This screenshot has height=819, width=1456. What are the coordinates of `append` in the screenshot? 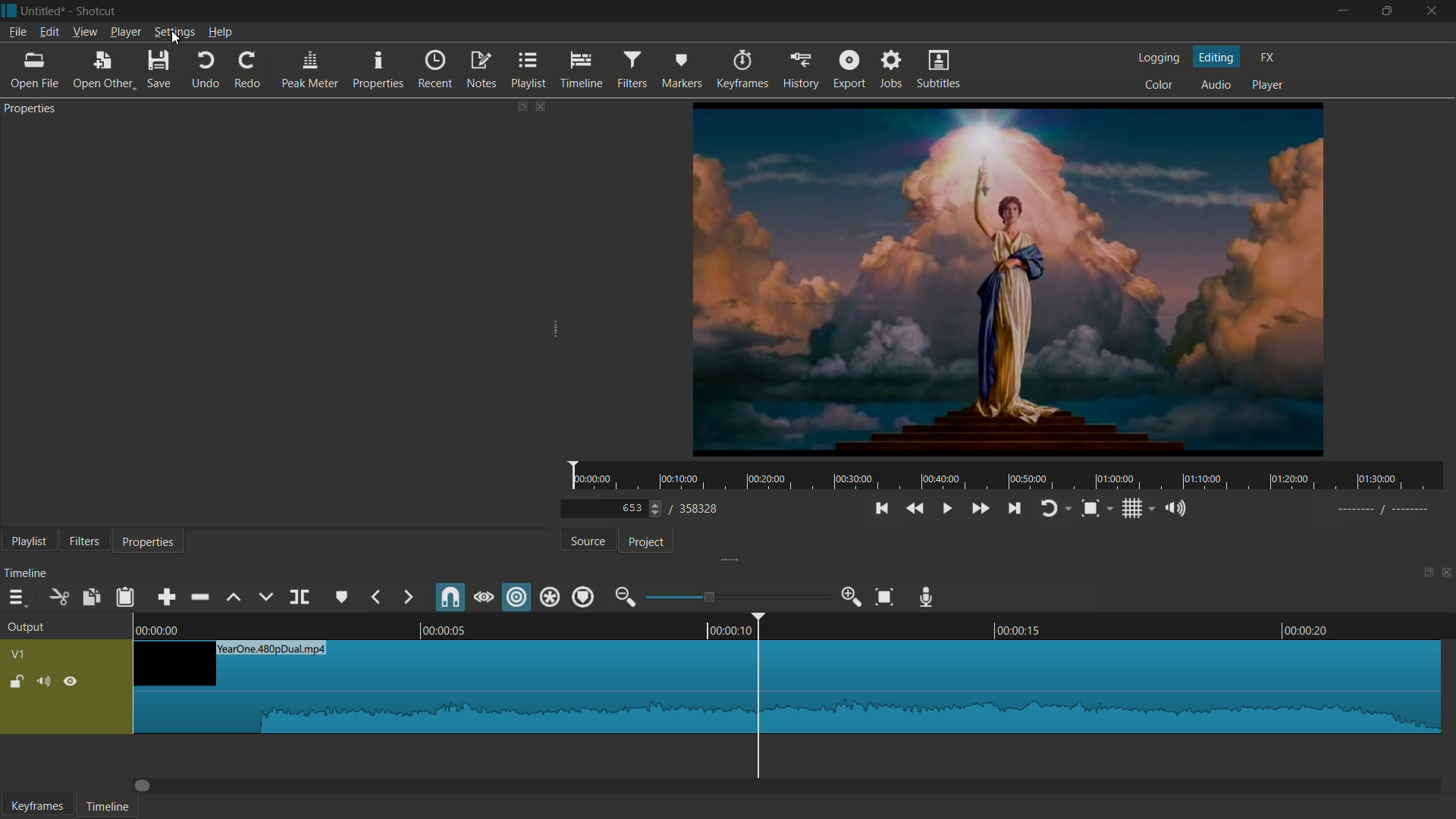 It's located at (168, 596).